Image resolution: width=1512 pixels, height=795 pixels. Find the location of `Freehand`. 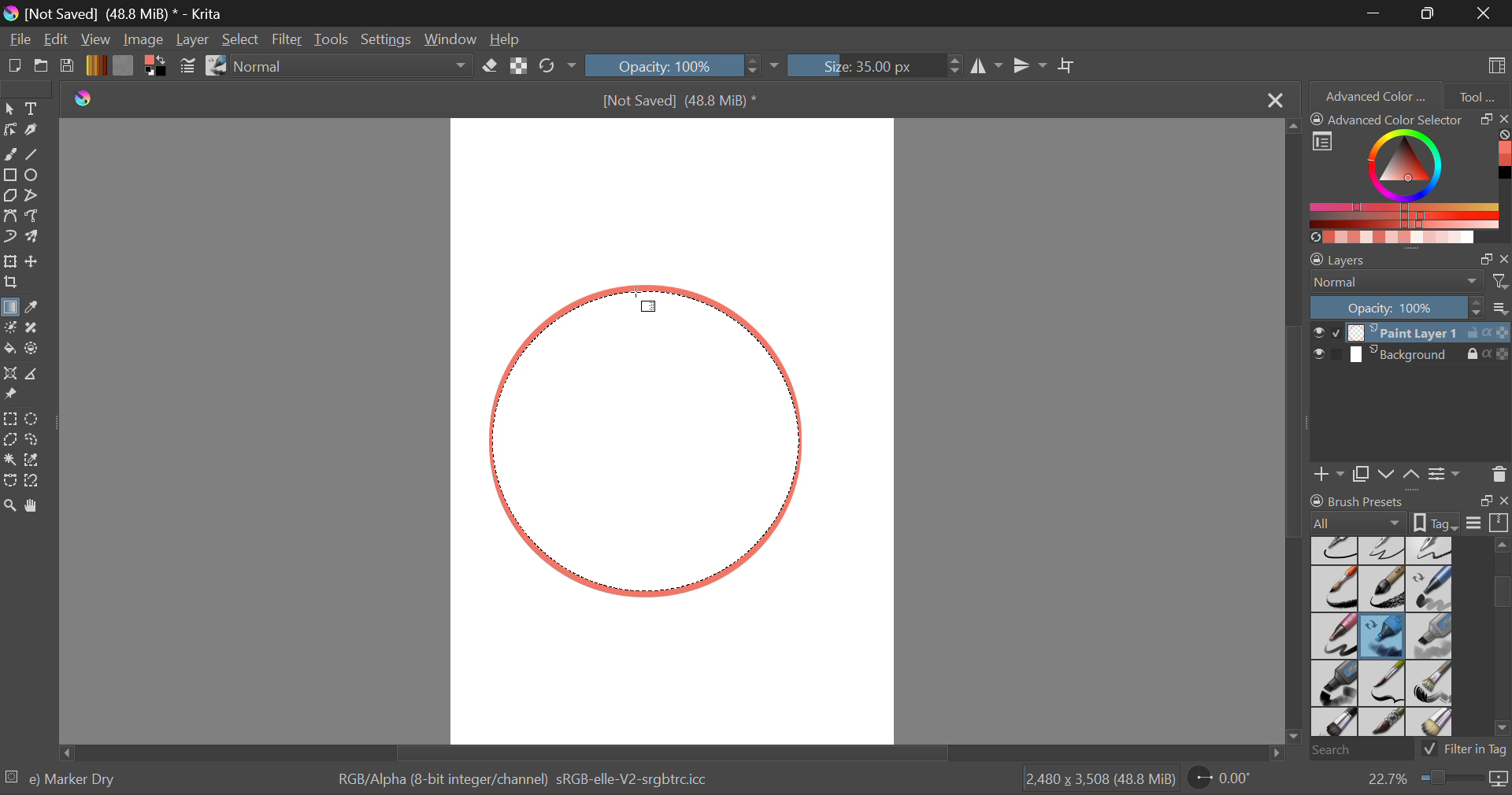

Freehand is located at coordinates (11, 154).